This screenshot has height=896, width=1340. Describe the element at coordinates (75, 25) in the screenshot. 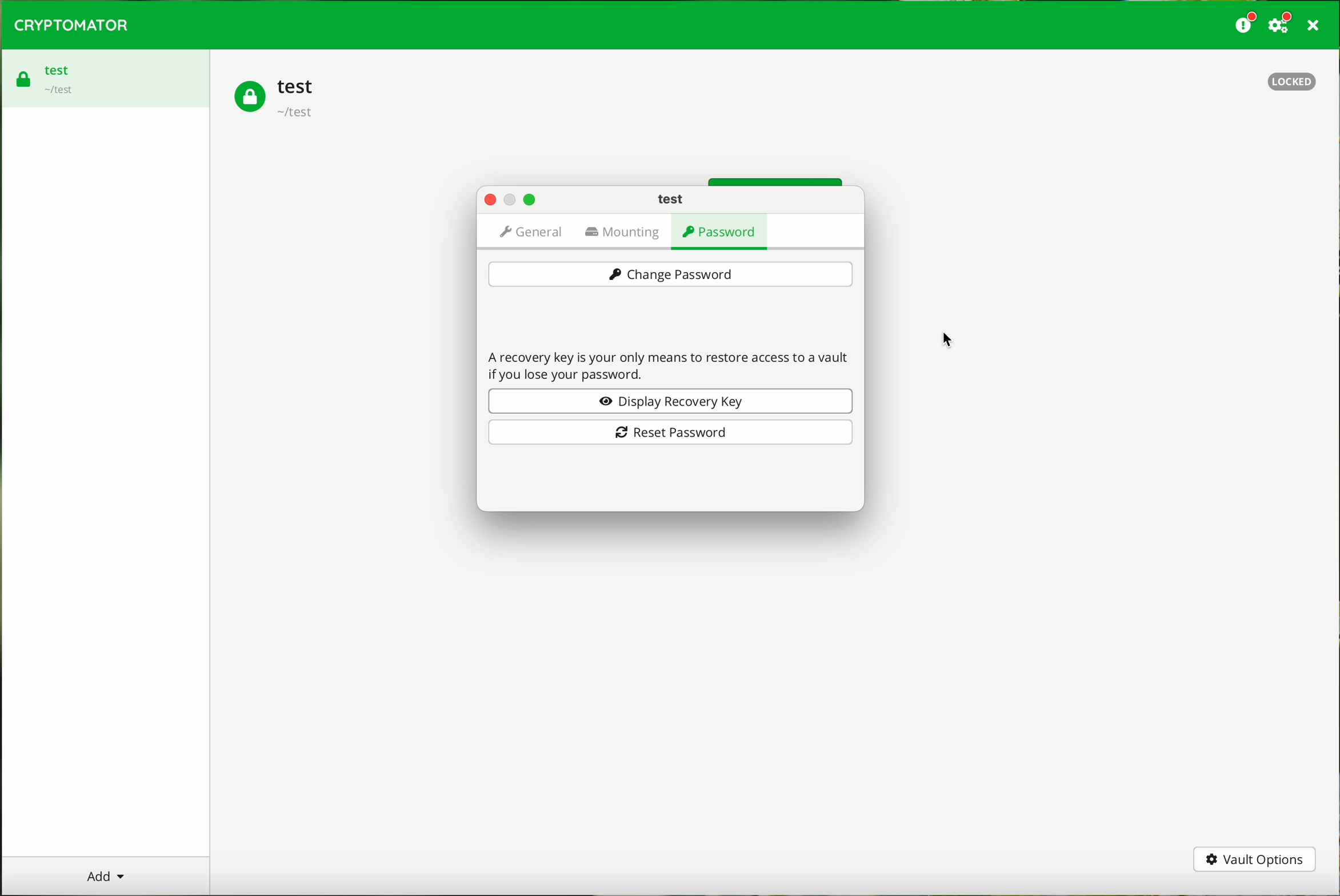

I see `CRYPTOMATOR` at that location.